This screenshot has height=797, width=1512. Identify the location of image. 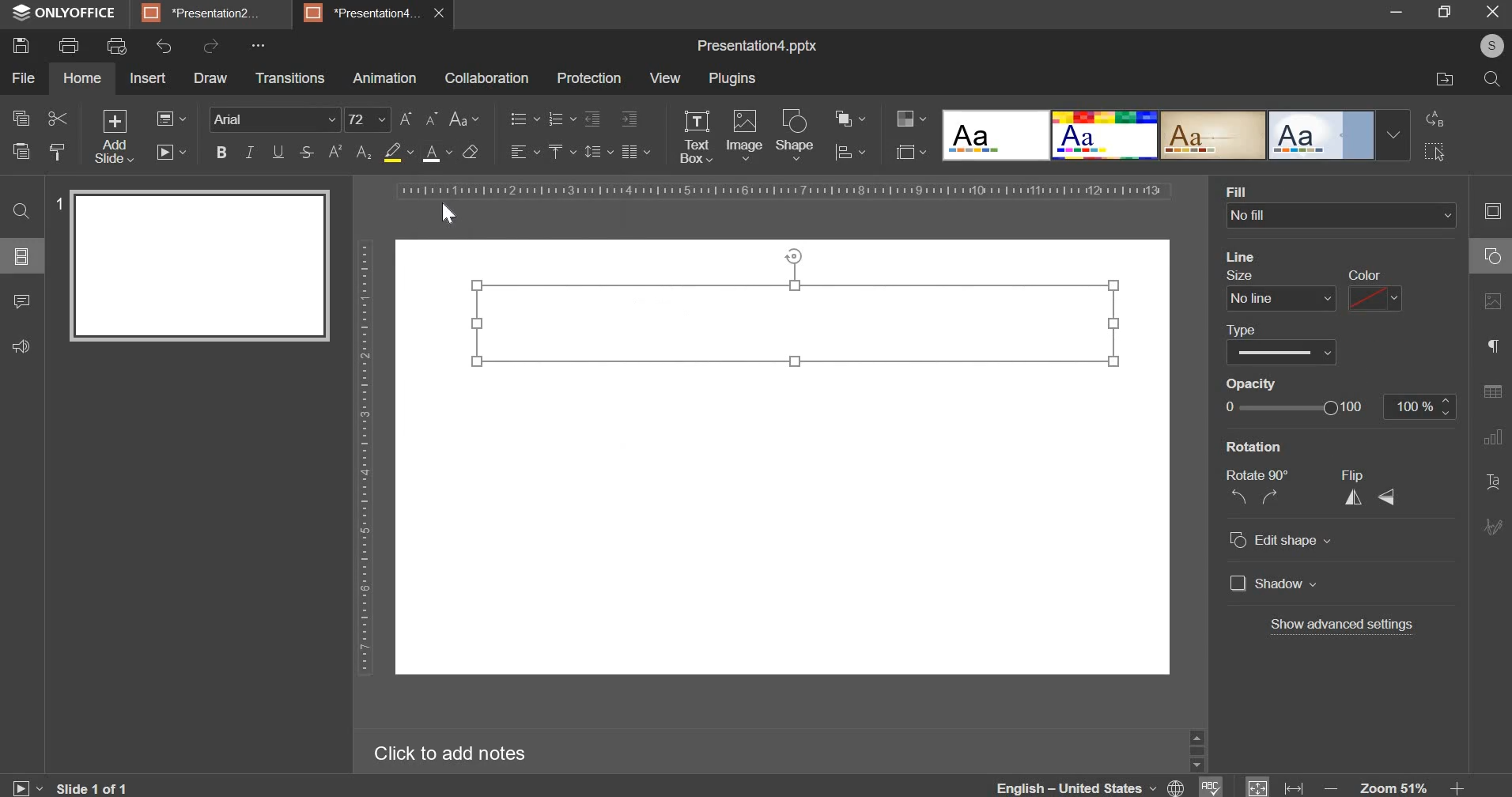
(744, 135).